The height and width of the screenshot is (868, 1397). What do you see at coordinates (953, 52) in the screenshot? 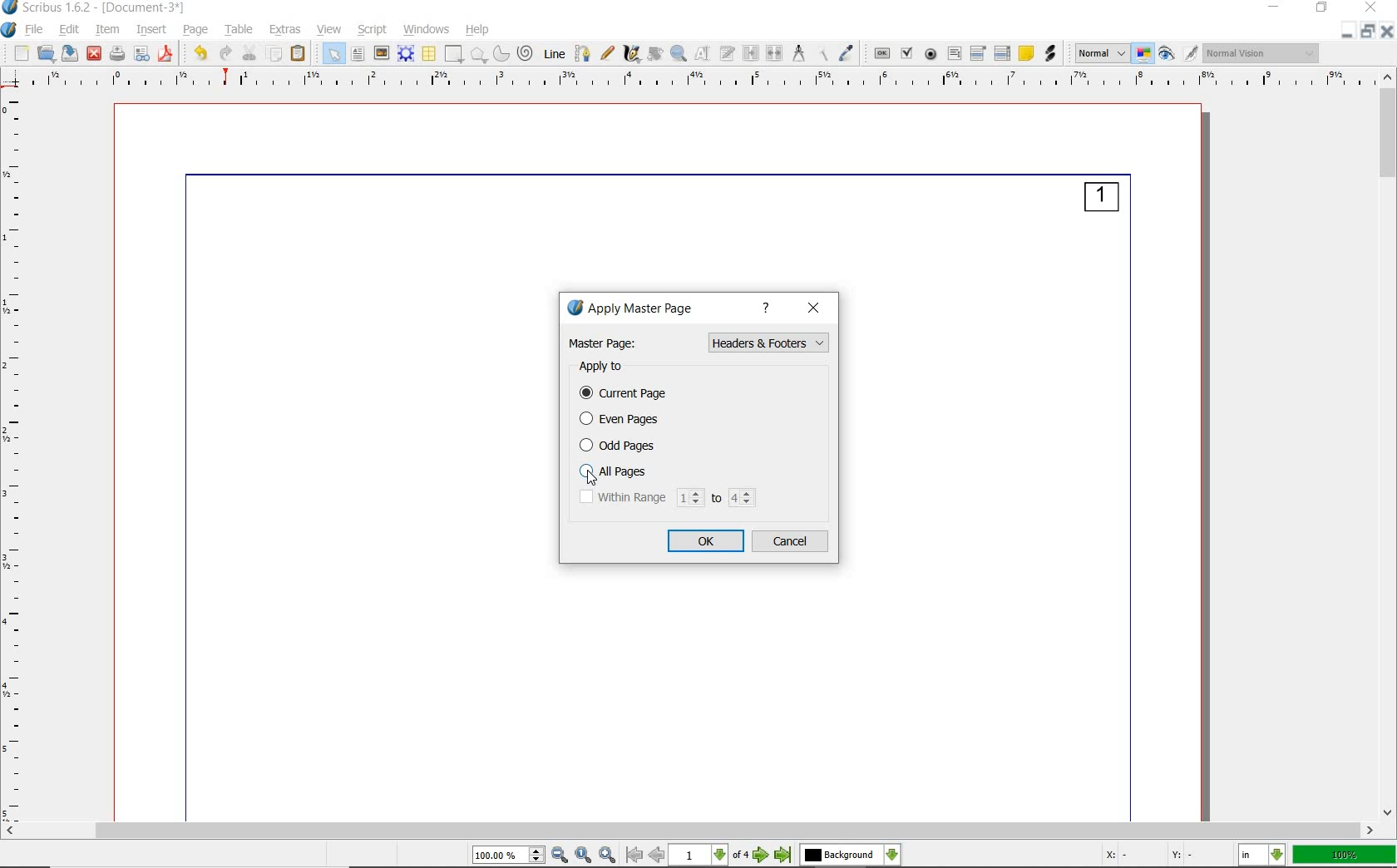
I see `pdf text field` at bounding box center [953, 52].